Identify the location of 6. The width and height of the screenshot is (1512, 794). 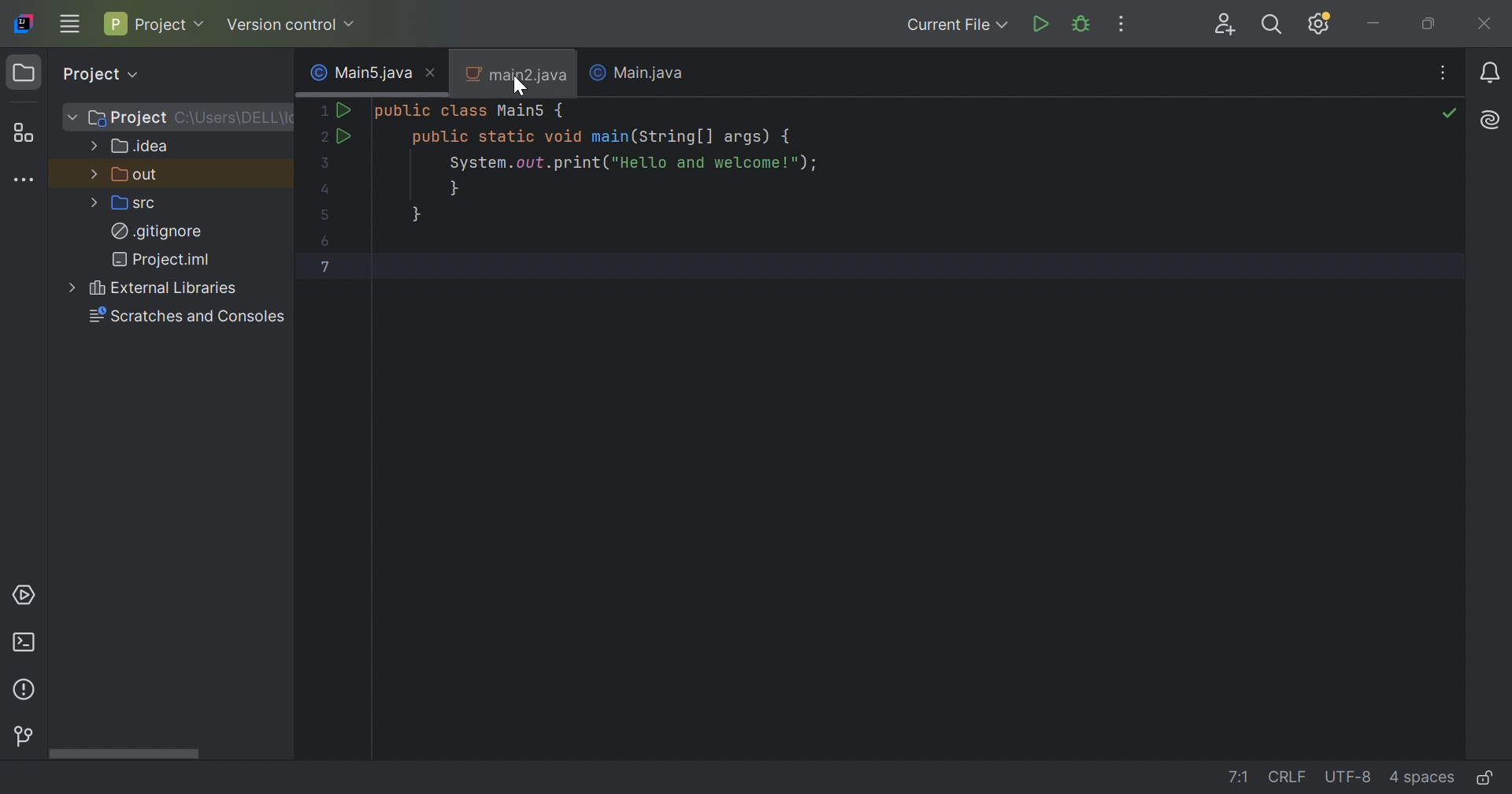
(327, 242).